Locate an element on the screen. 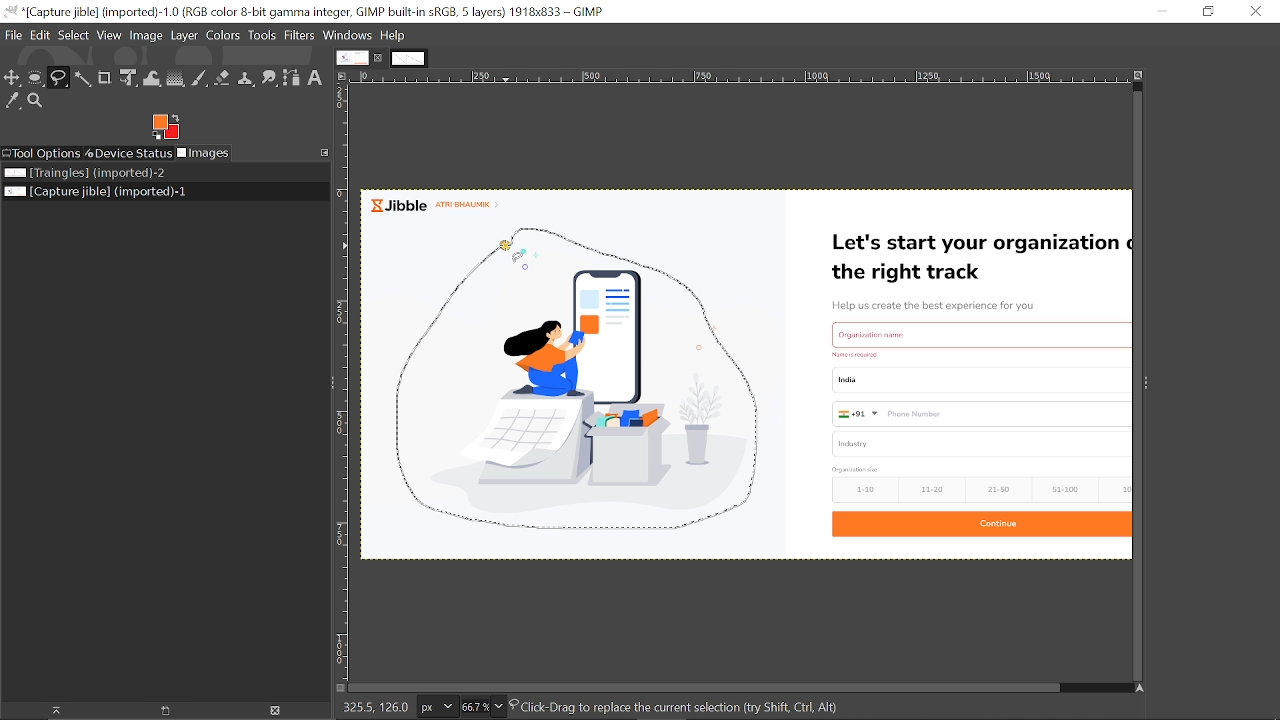 The width and height of the screenshot is (1280, 720). Color picker tool is located at coordinates (12, 101).